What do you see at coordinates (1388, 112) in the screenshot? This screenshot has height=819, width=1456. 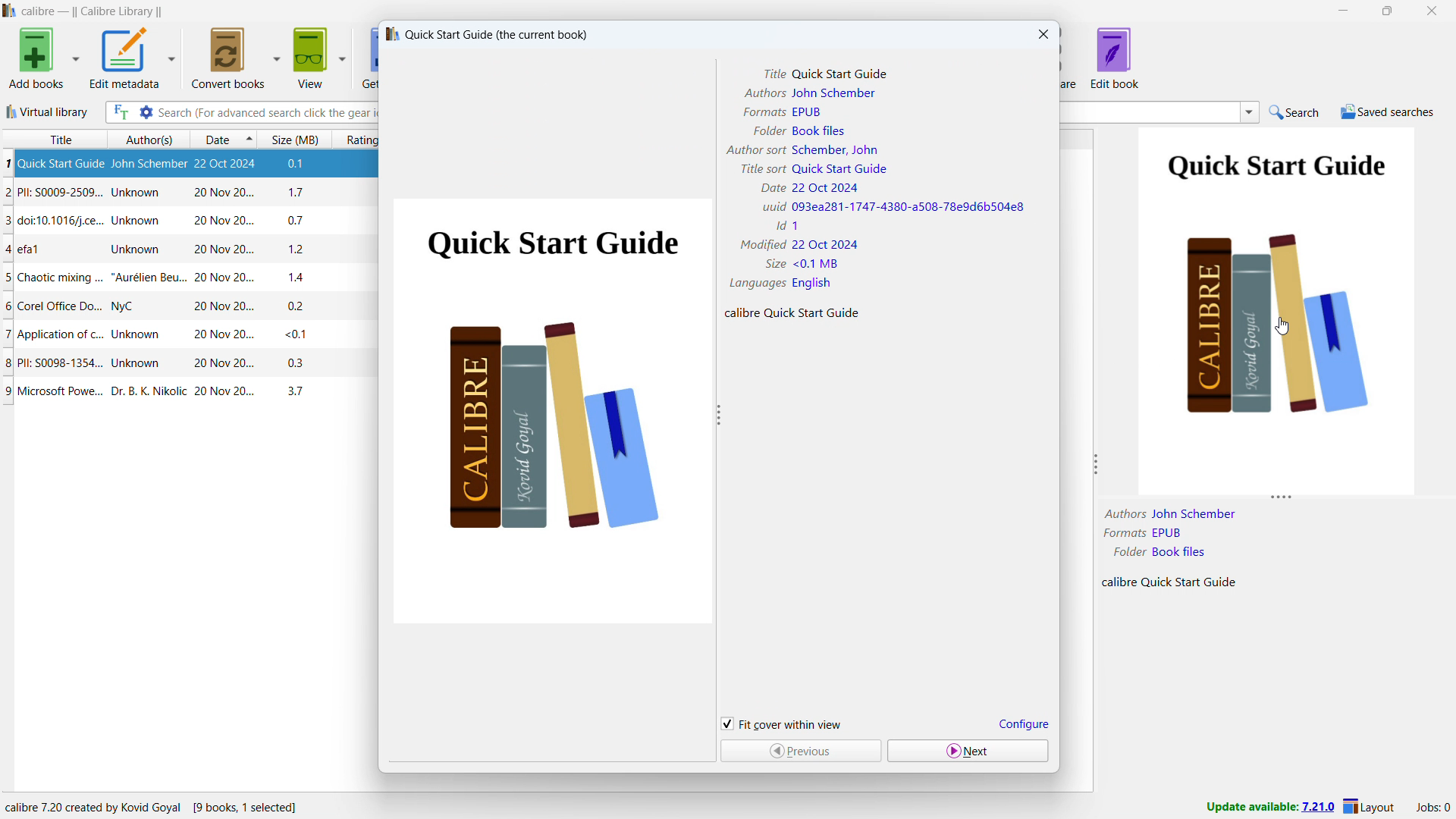 I see `saved searches` at bounding box center [1388, 112].